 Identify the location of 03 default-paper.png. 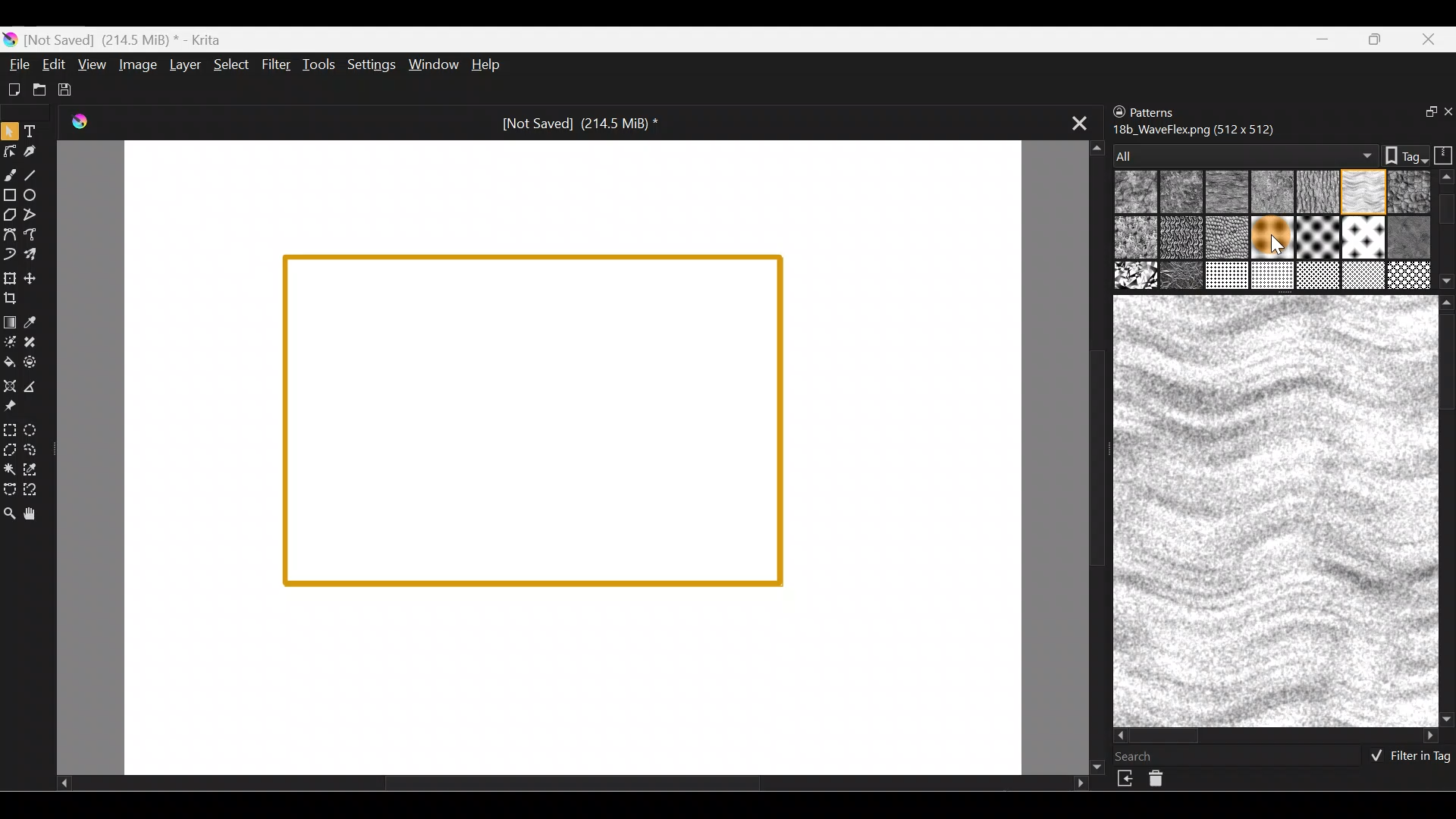
(1269, 193).